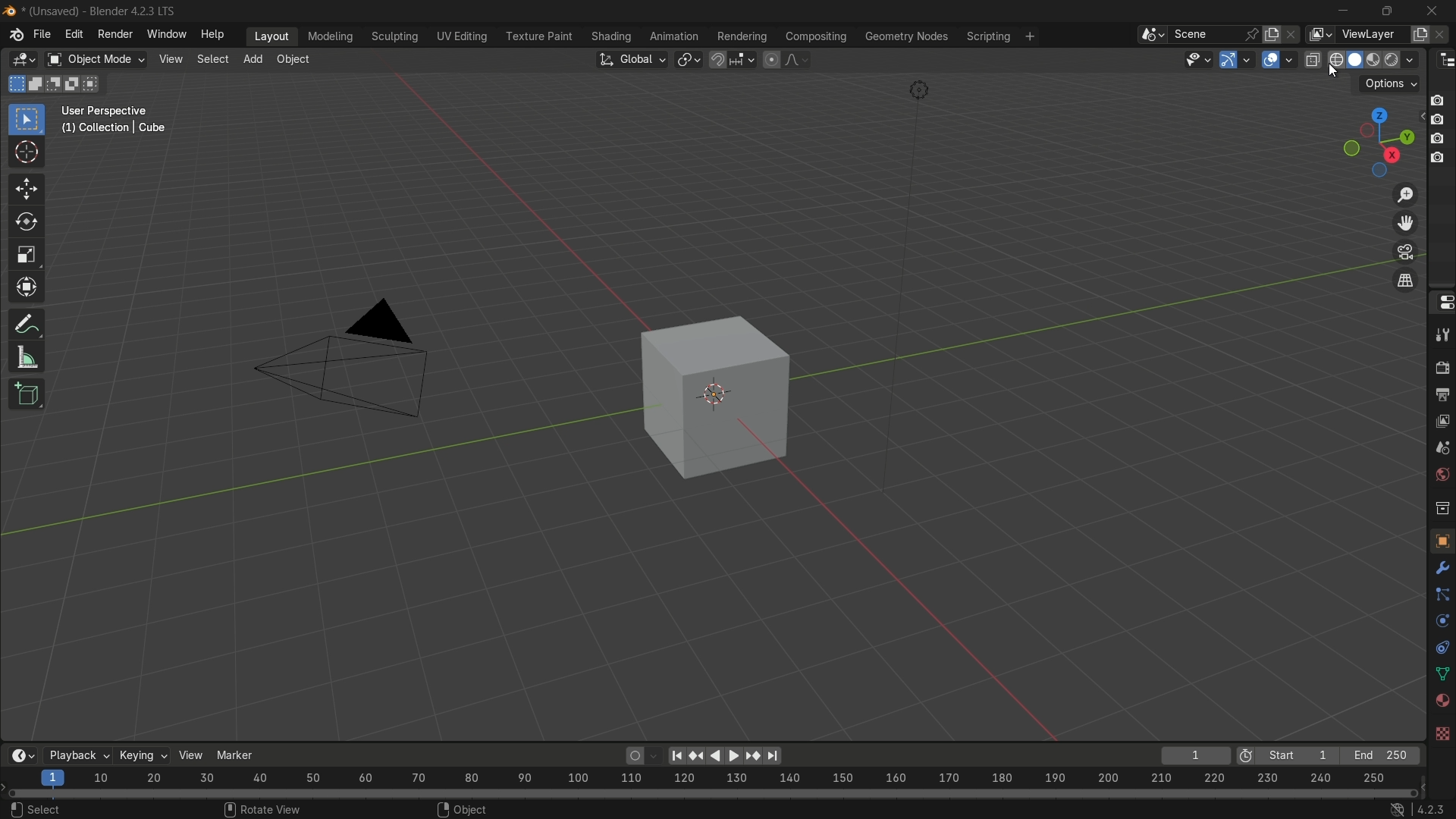 Image resolution: width=1456 pixels, height=819 pixels. What do you see at coordinates (1292, 755) in the screenshot?
I see `start` at bounding box center [1292, 755].